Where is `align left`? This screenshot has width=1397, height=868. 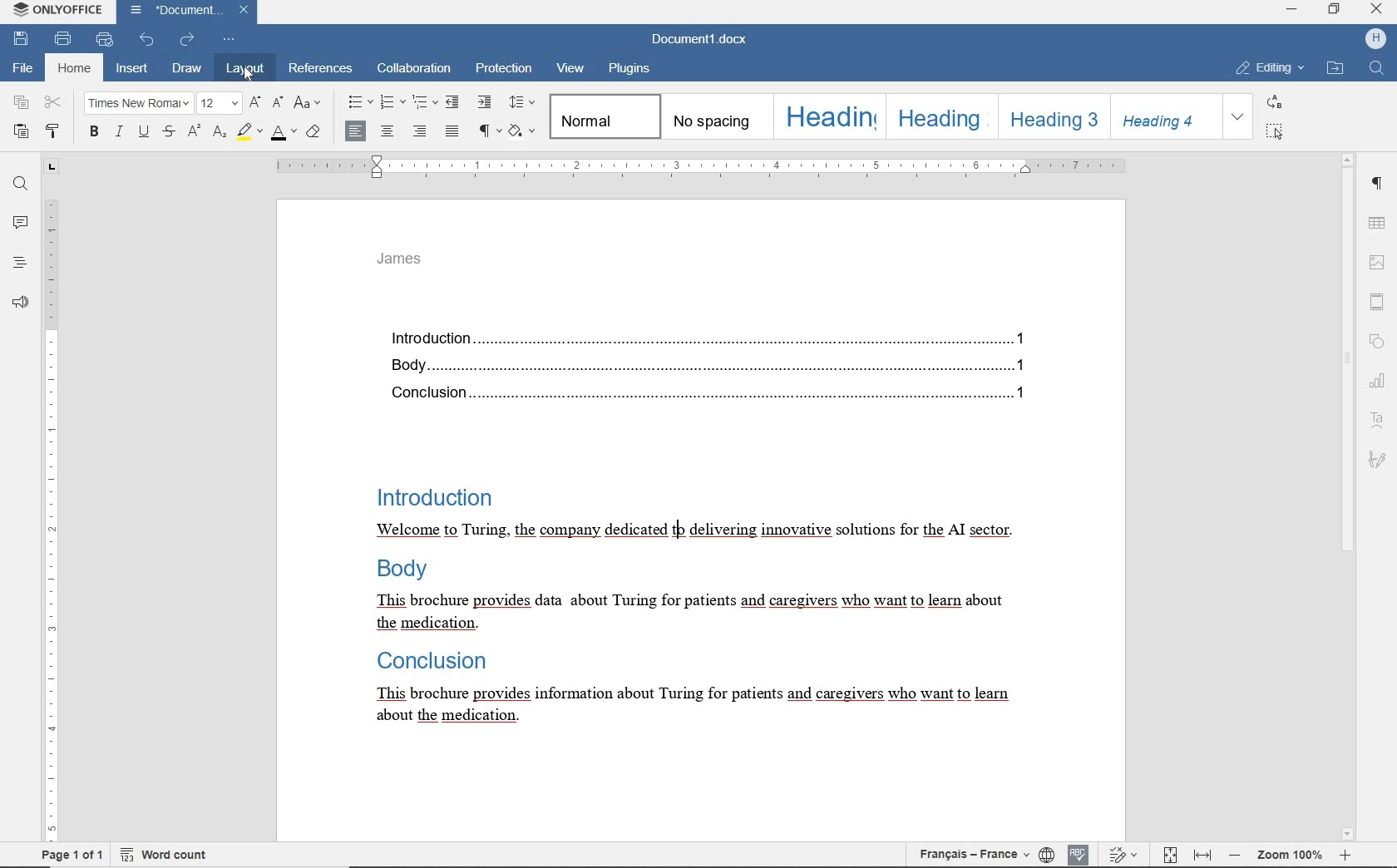
align left is located at coordinates (355, 131).